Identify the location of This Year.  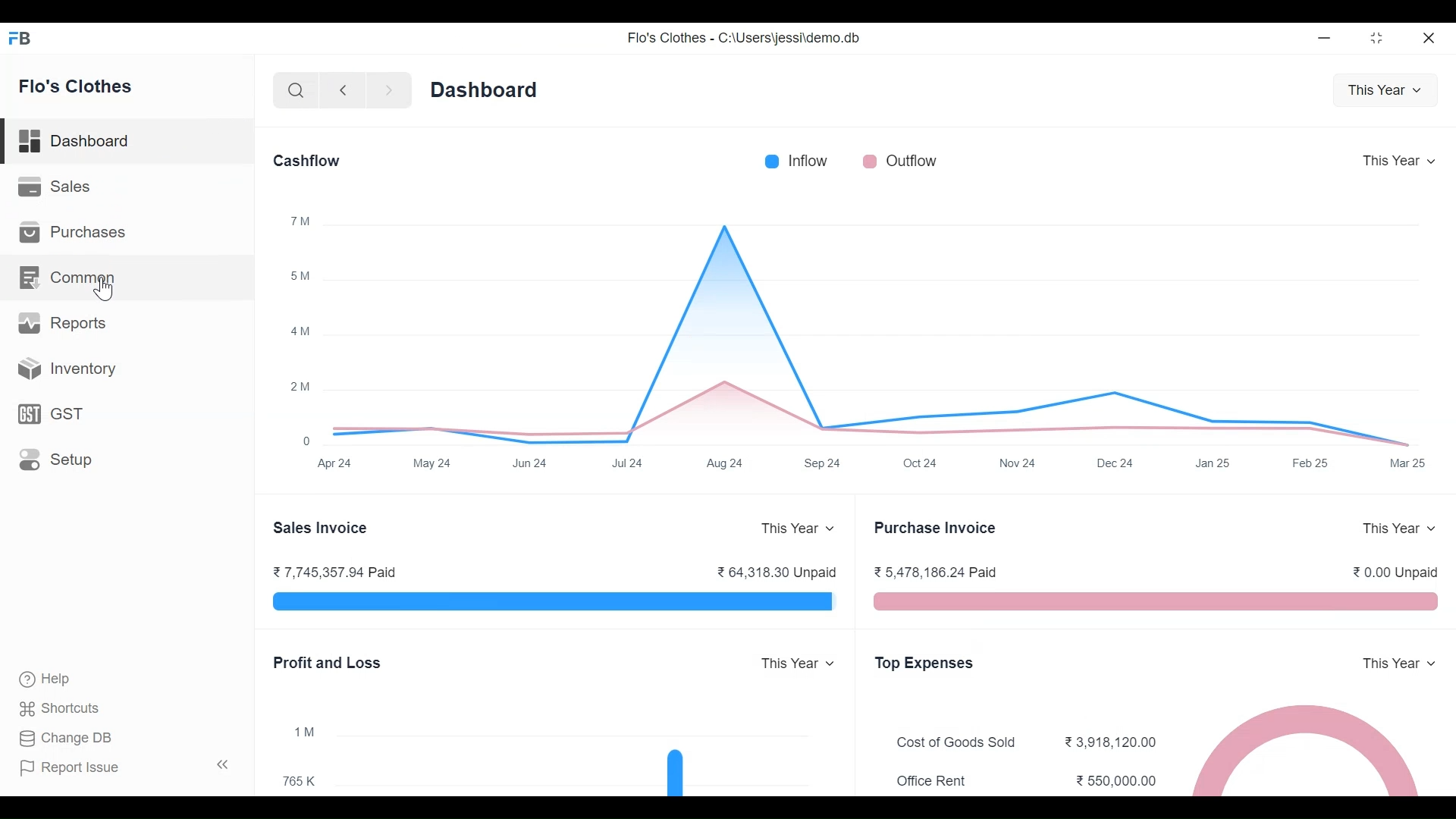
(797, 529).